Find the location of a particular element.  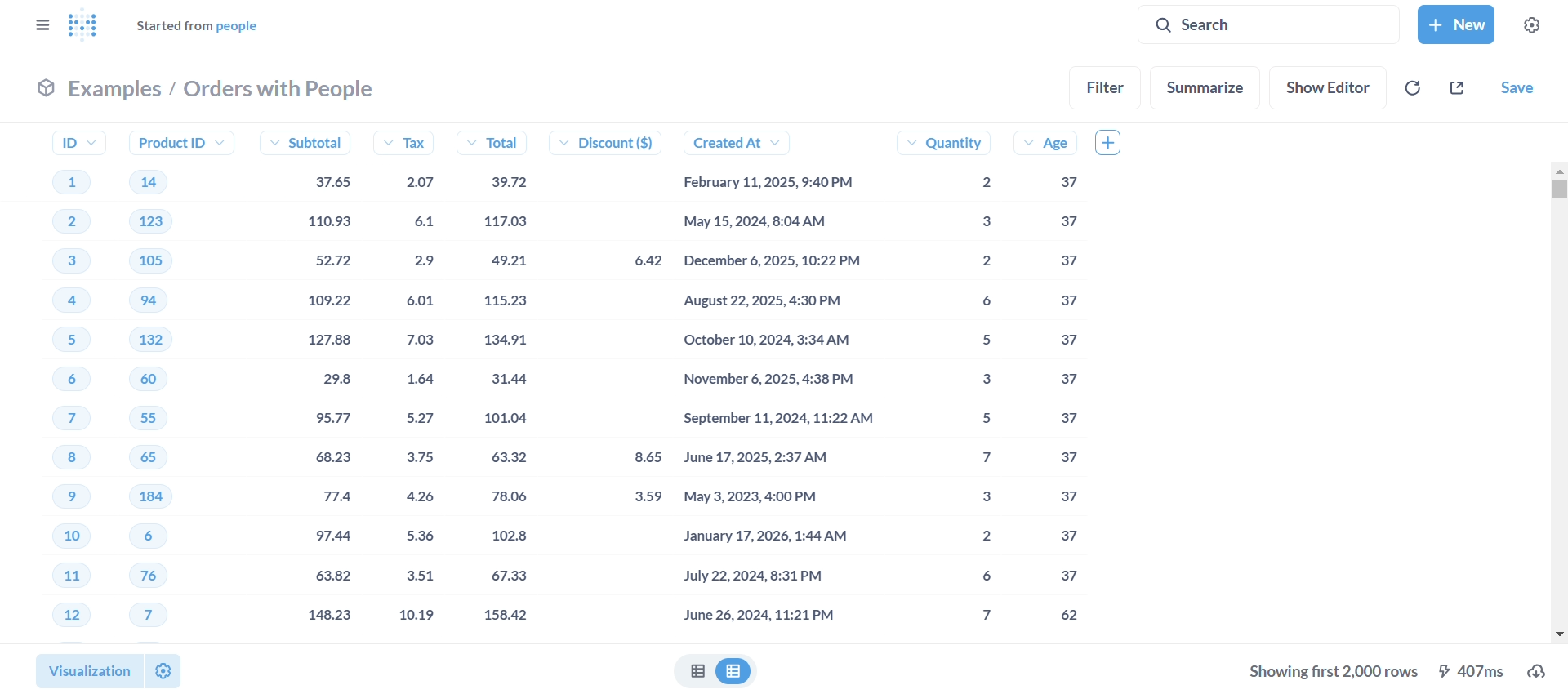

started from people is located at coordinates (198, 24).